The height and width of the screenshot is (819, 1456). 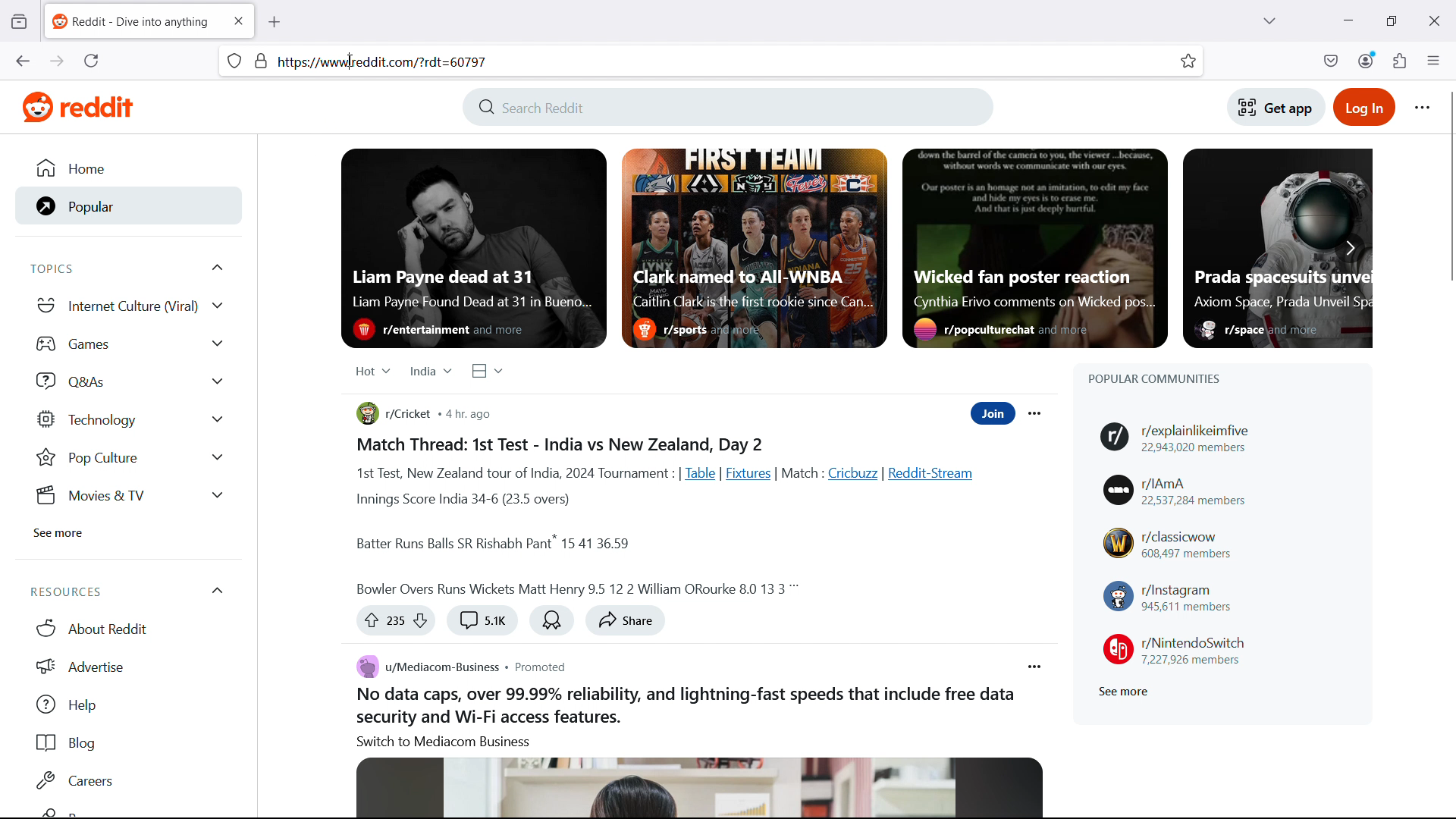 What do you see at coordinates (238, 20) in the screenshot?
I see `close tab` at bounding box center [238, 20].